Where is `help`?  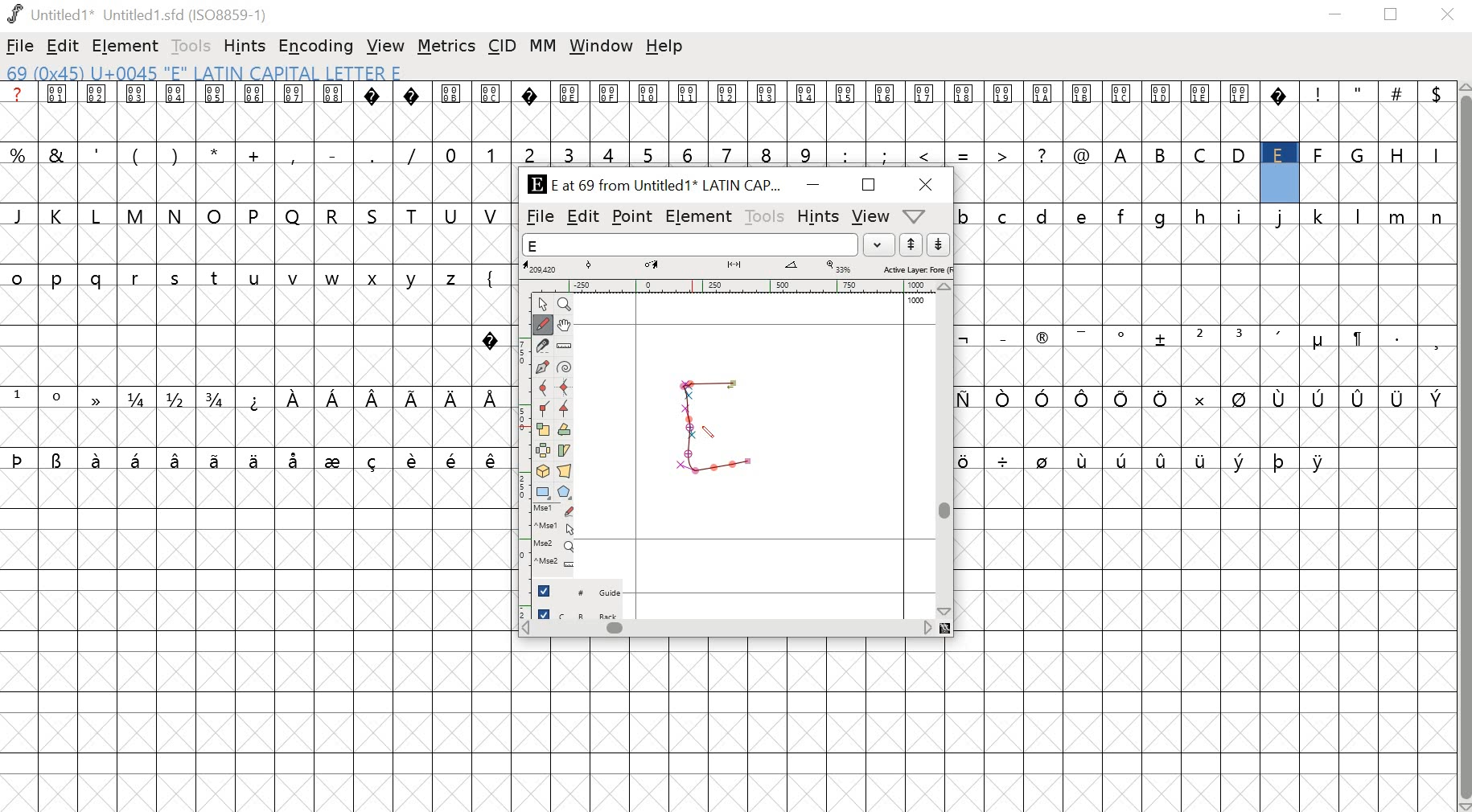
help is located at coordinates (664, 47).